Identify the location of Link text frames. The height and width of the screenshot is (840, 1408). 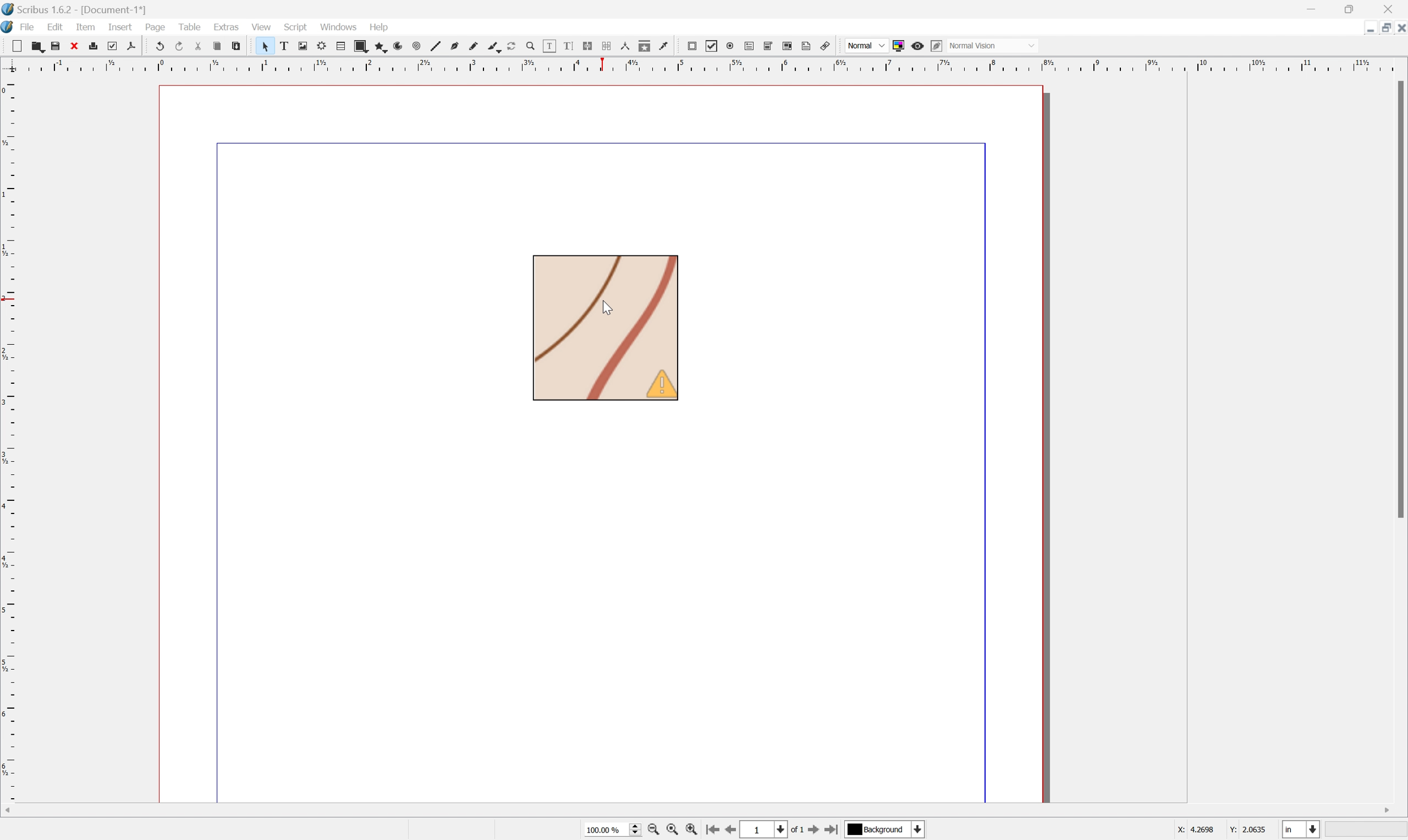
(591, 46).